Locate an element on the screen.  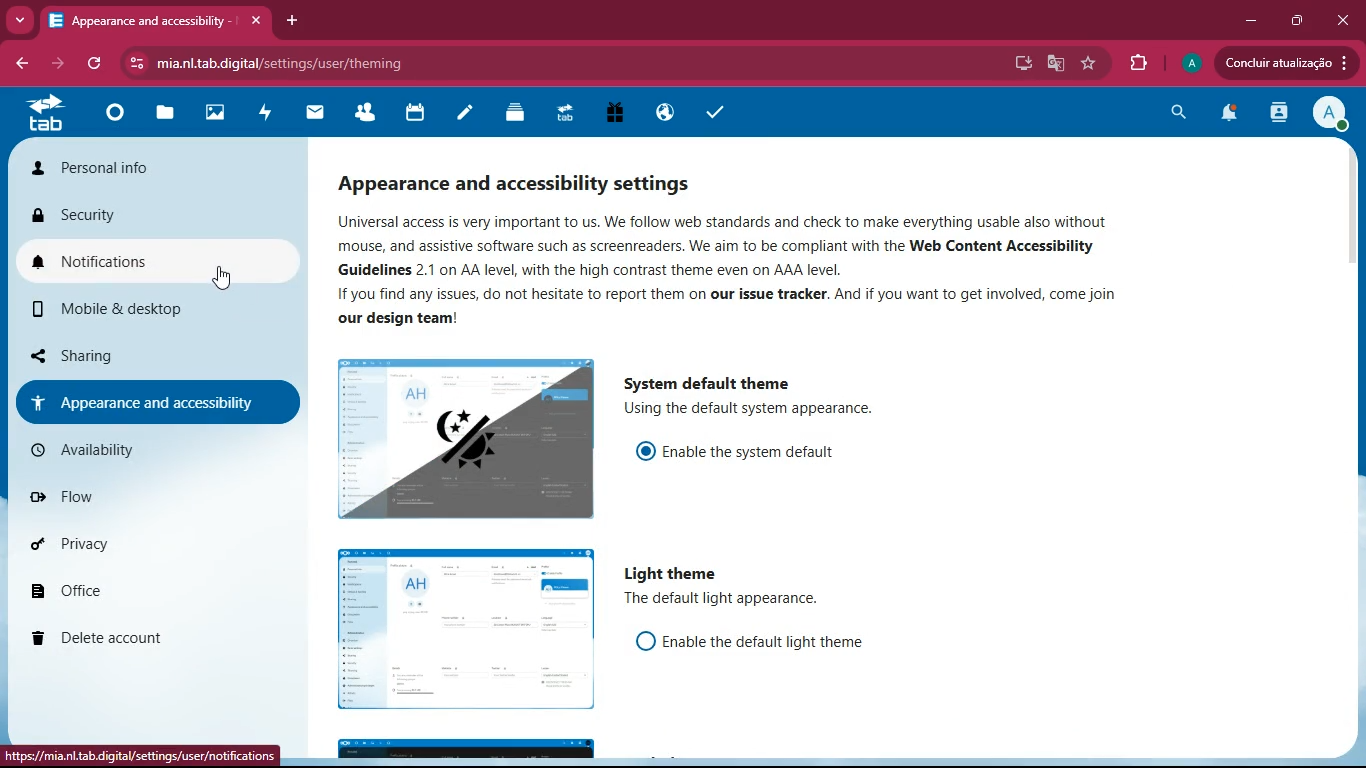
sharing is located at coordinates (147, 353).